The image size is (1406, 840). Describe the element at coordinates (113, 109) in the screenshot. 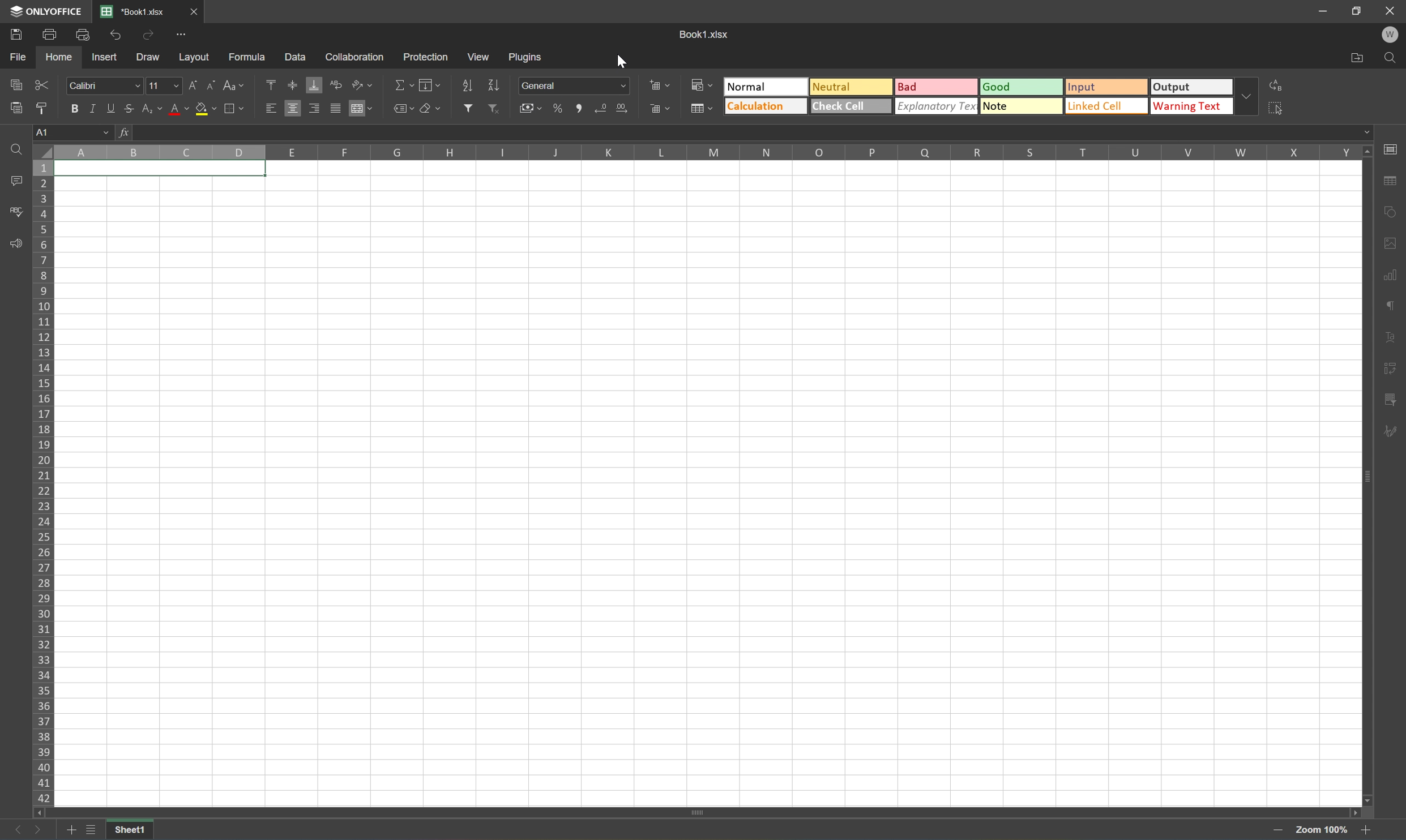

I see `Underline` at that location.